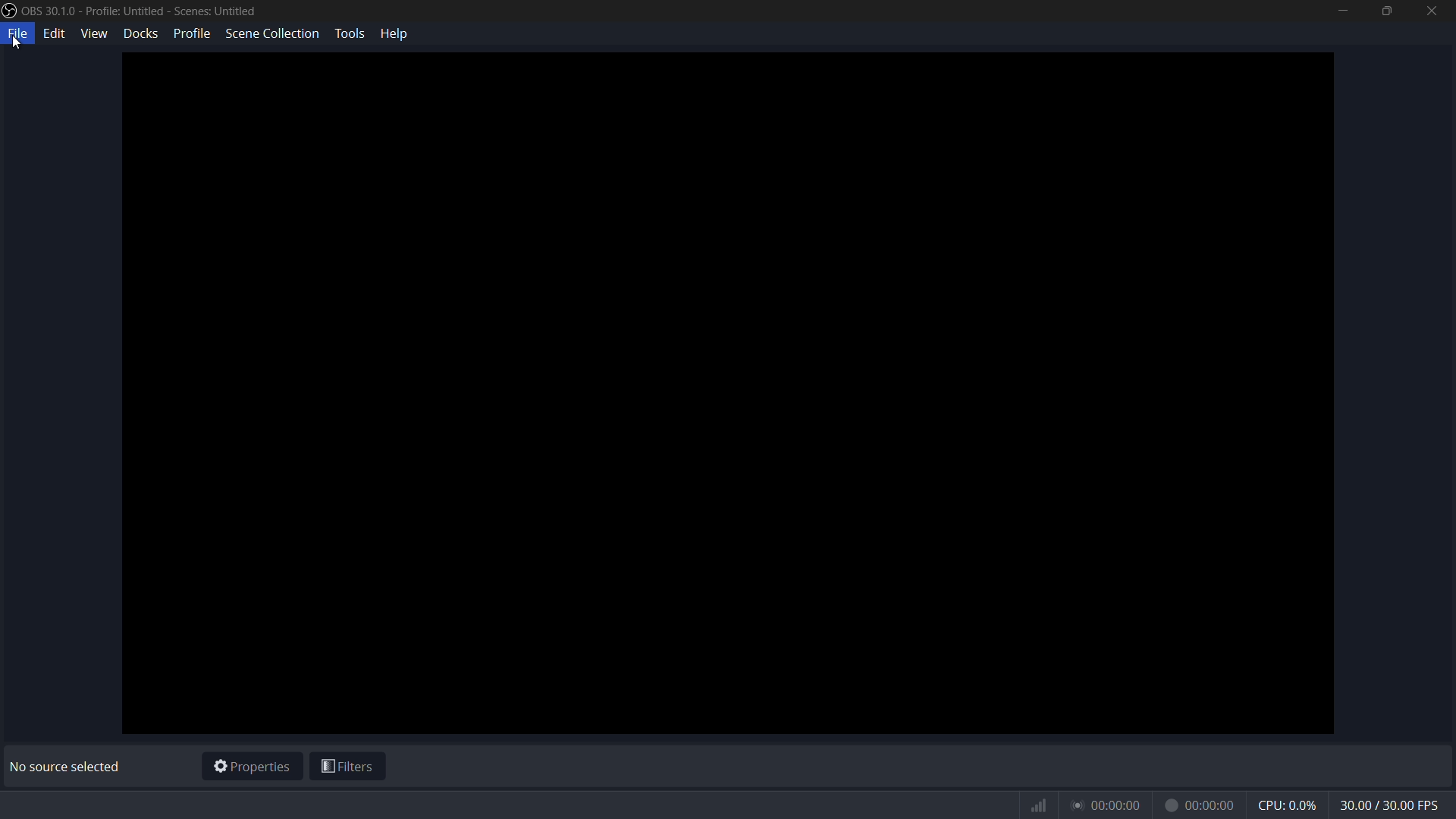 This screenshot has height=819, width=1456. I want to click on cpu usage, so click(1289, 805).